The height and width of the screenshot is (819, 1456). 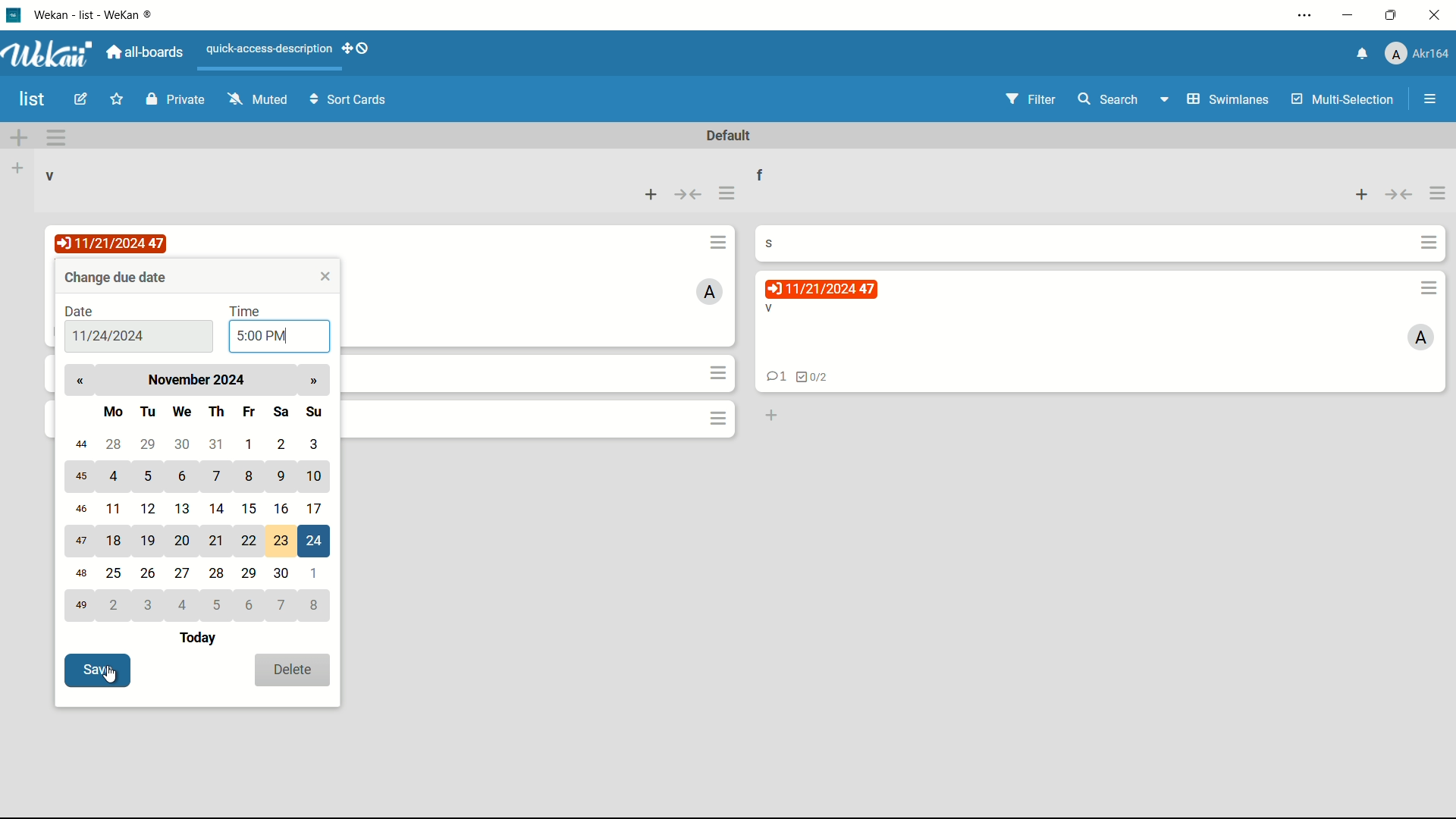 What do you see at coordinates (1429, 288) in the screenshot?
I see `card actions` at bounding box center [1429, 288].